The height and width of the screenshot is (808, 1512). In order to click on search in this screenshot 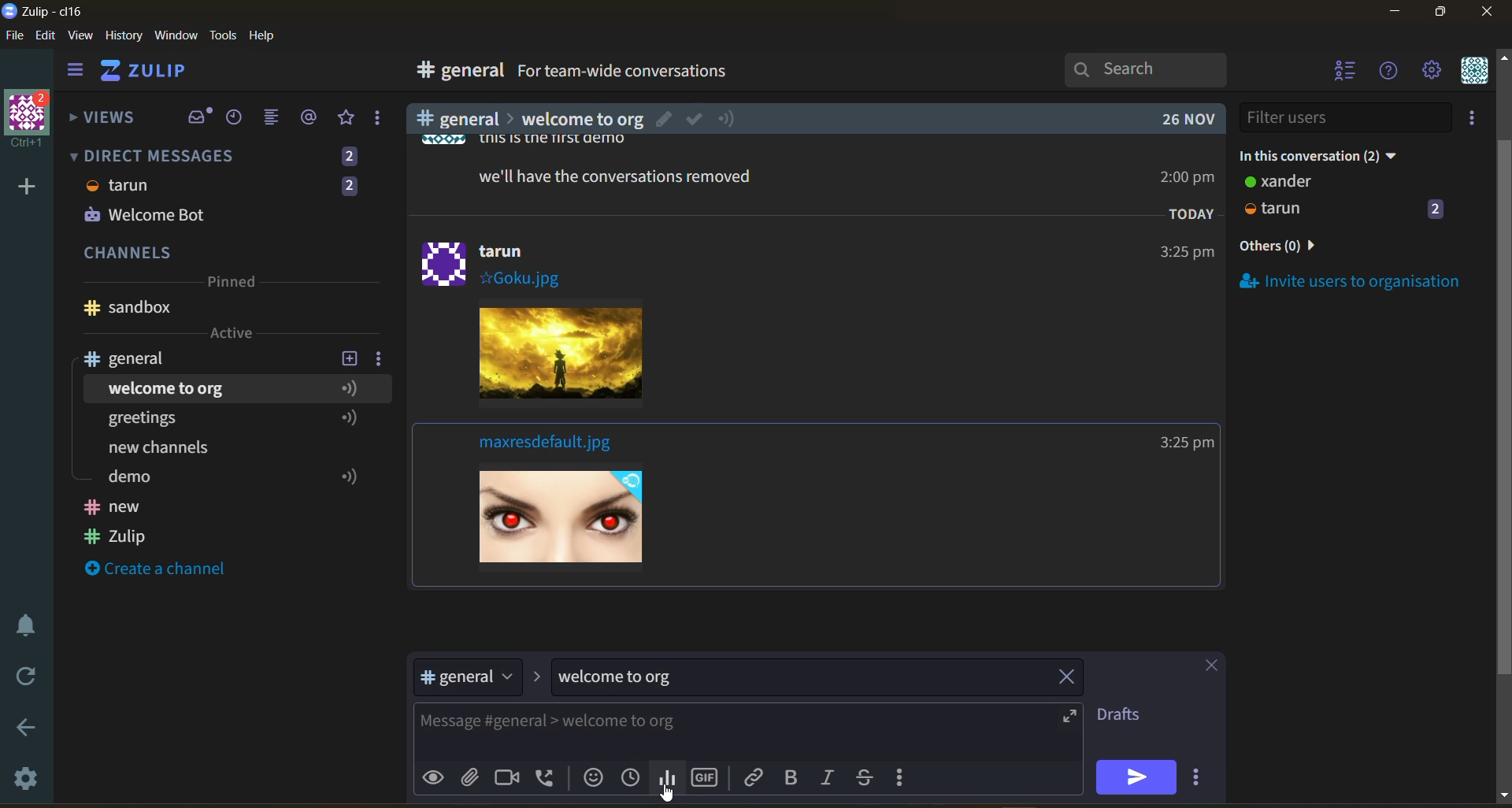, I will do `click(1160, 69)`.